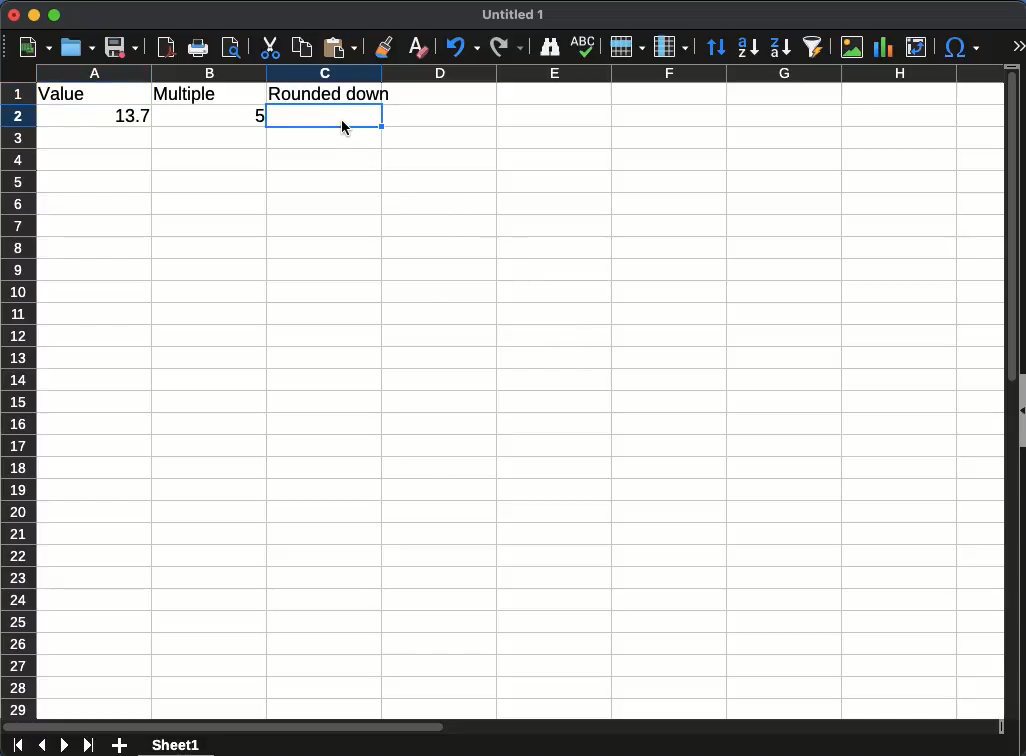  What do you see at coordinates (883, 47) in the screenshot?
I see `chart` at bounding box center [883, 47].